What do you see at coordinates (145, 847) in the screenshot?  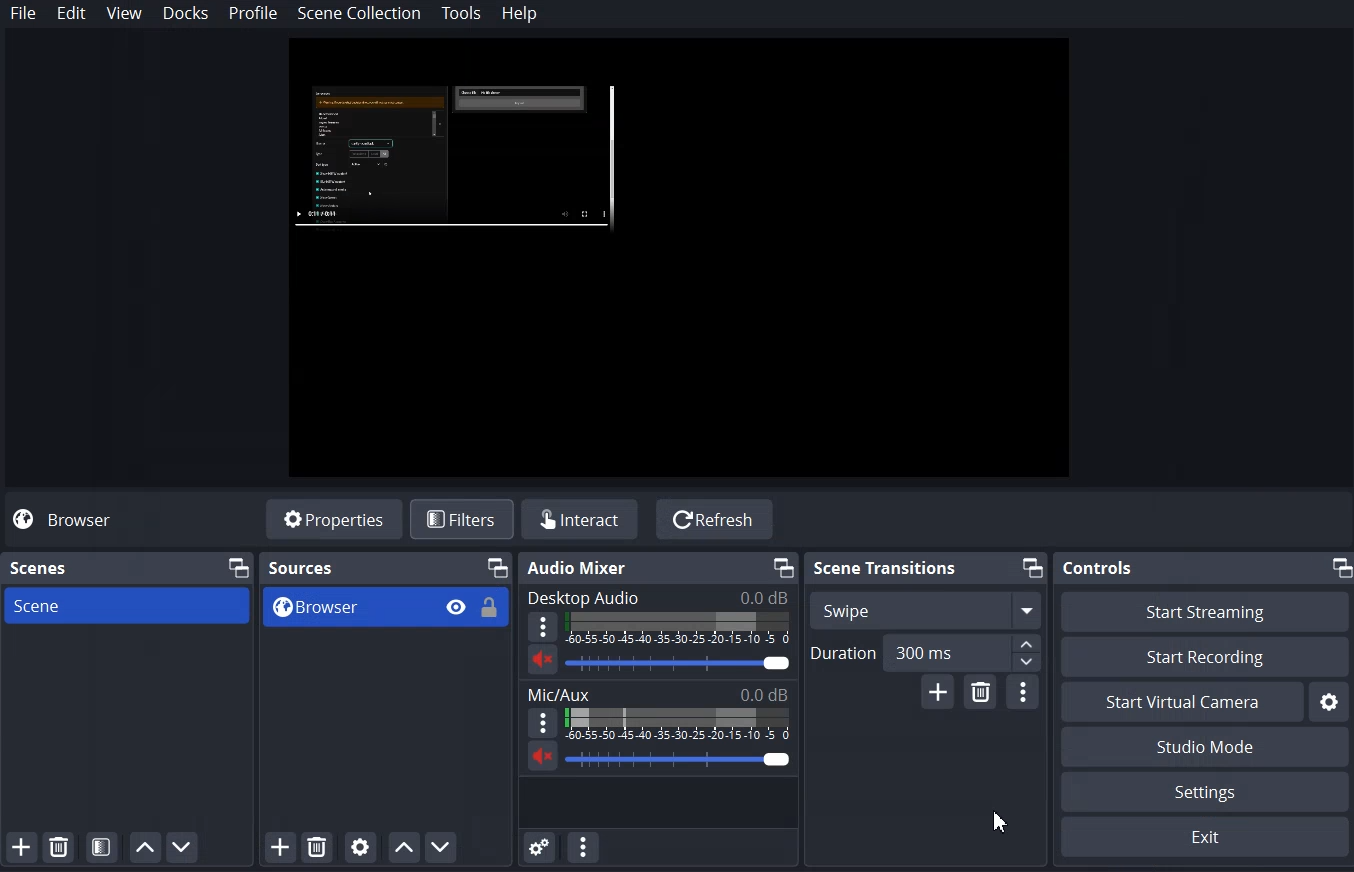 I see `Move Scene Up` at bounding box center [145, 847].